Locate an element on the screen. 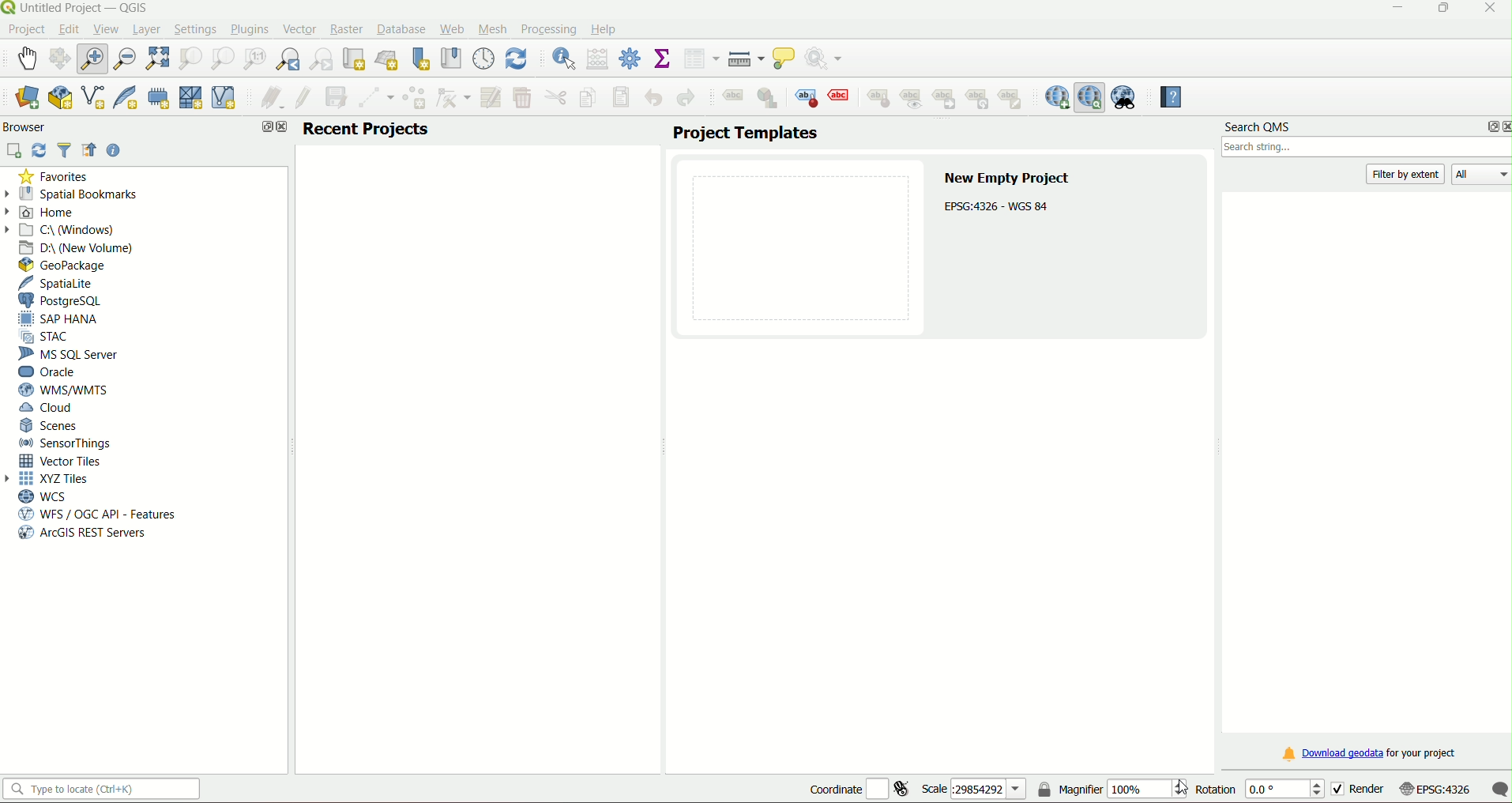  new map view is located at coordinates (355, 58).